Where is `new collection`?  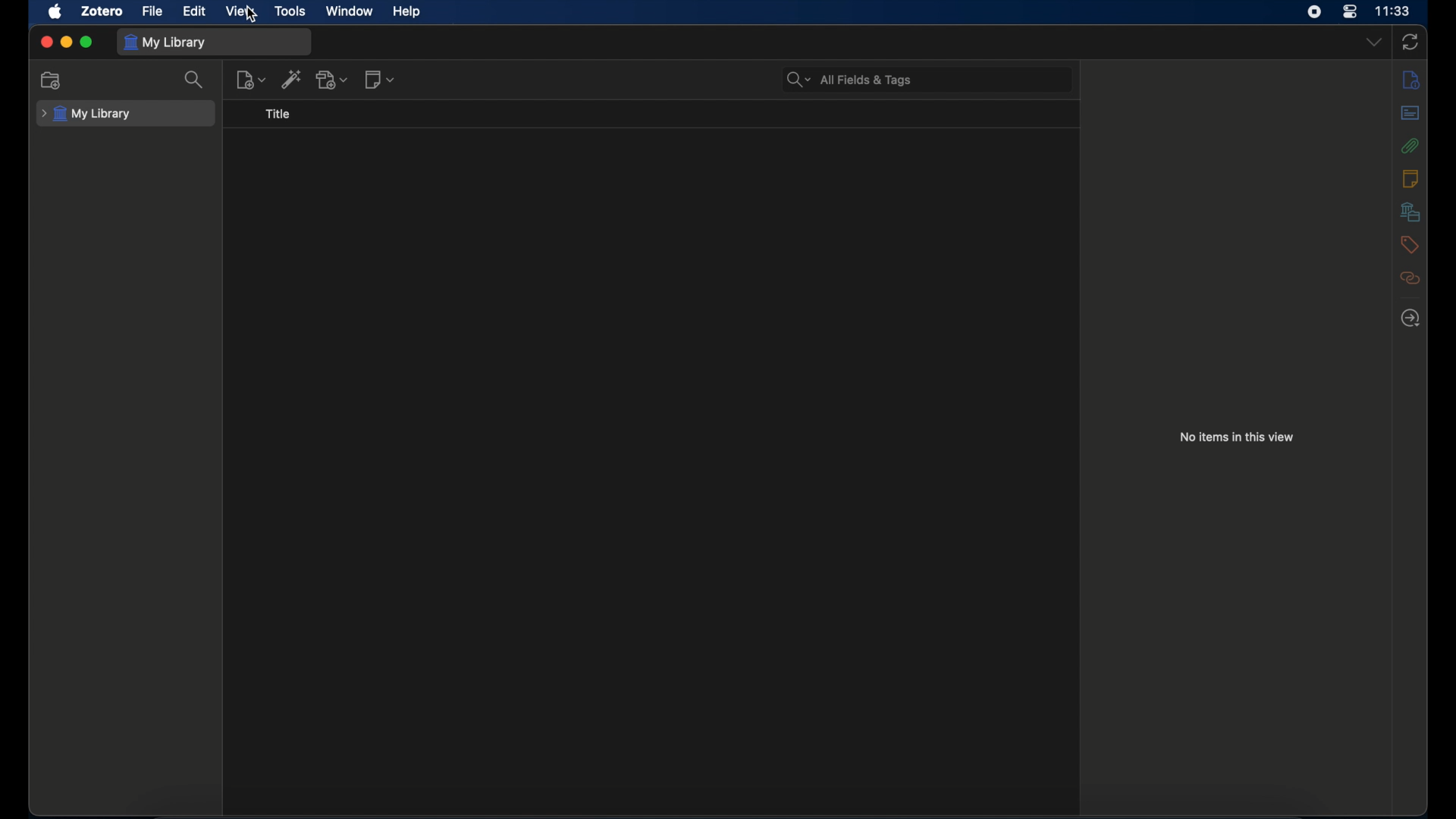 new collection is located at coordinates (52, 81).